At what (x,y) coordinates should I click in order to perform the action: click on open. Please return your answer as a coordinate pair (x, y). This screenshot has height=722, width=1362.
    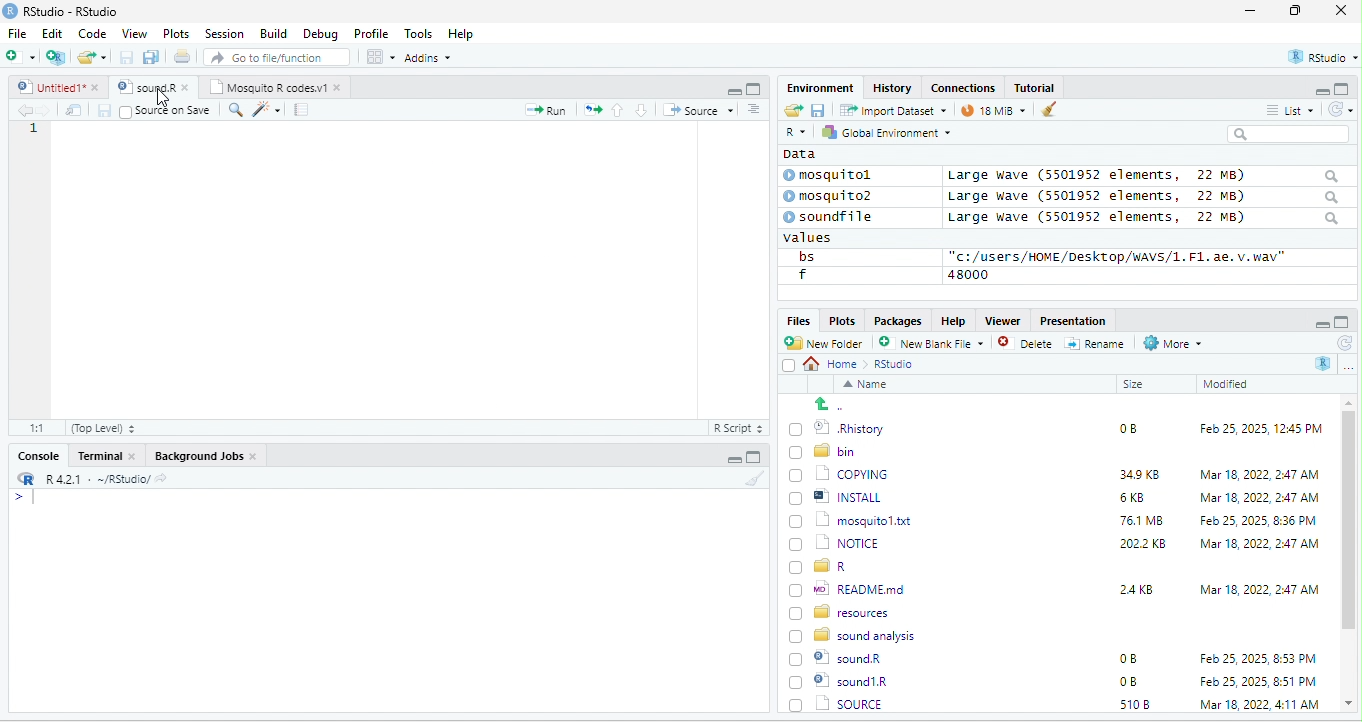
    Looking at the image, I should click on (593, 108).